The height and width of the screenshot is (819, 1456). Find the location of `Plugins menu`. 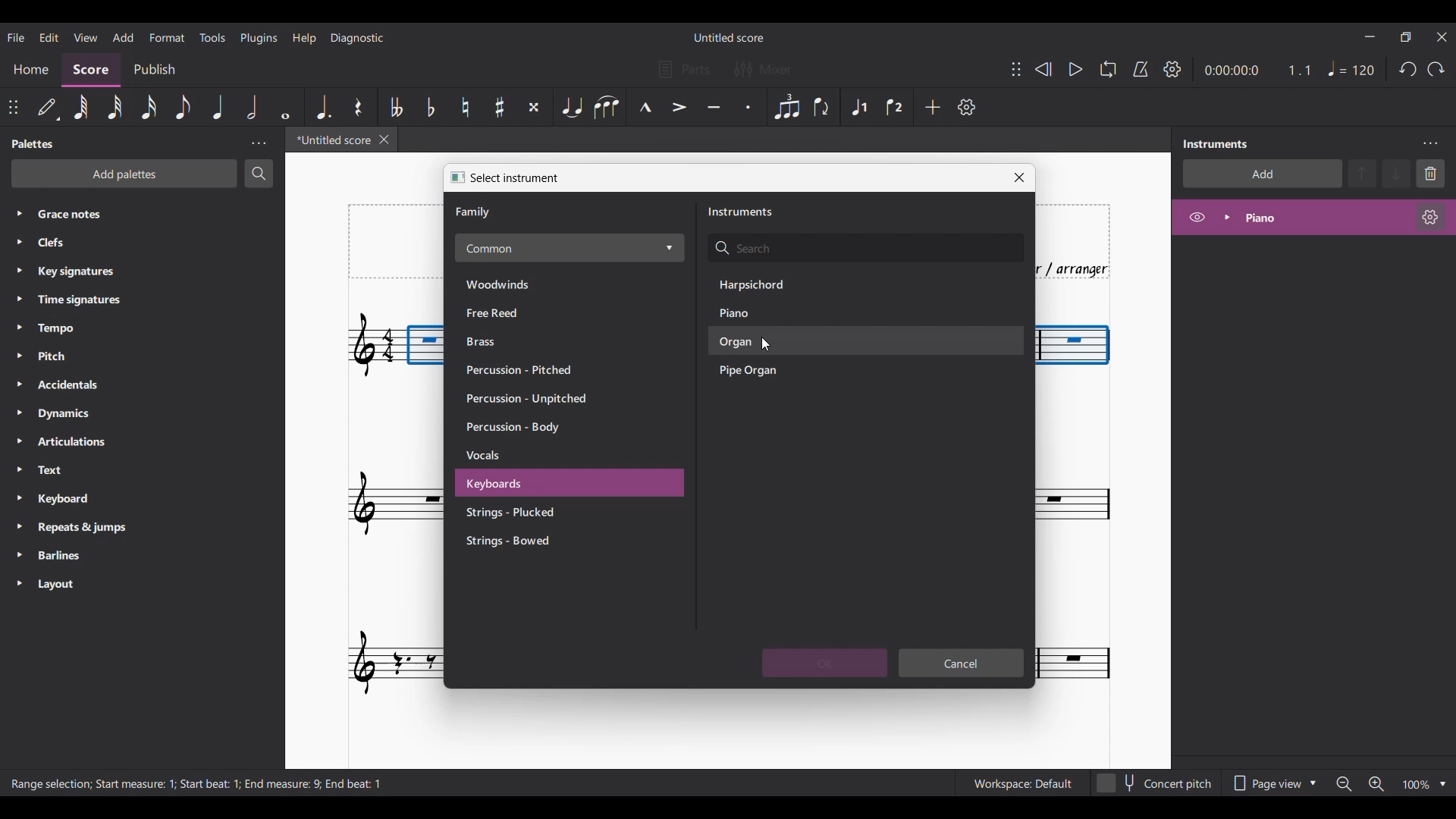

Plugins menu is located at coordinates (260, 37).